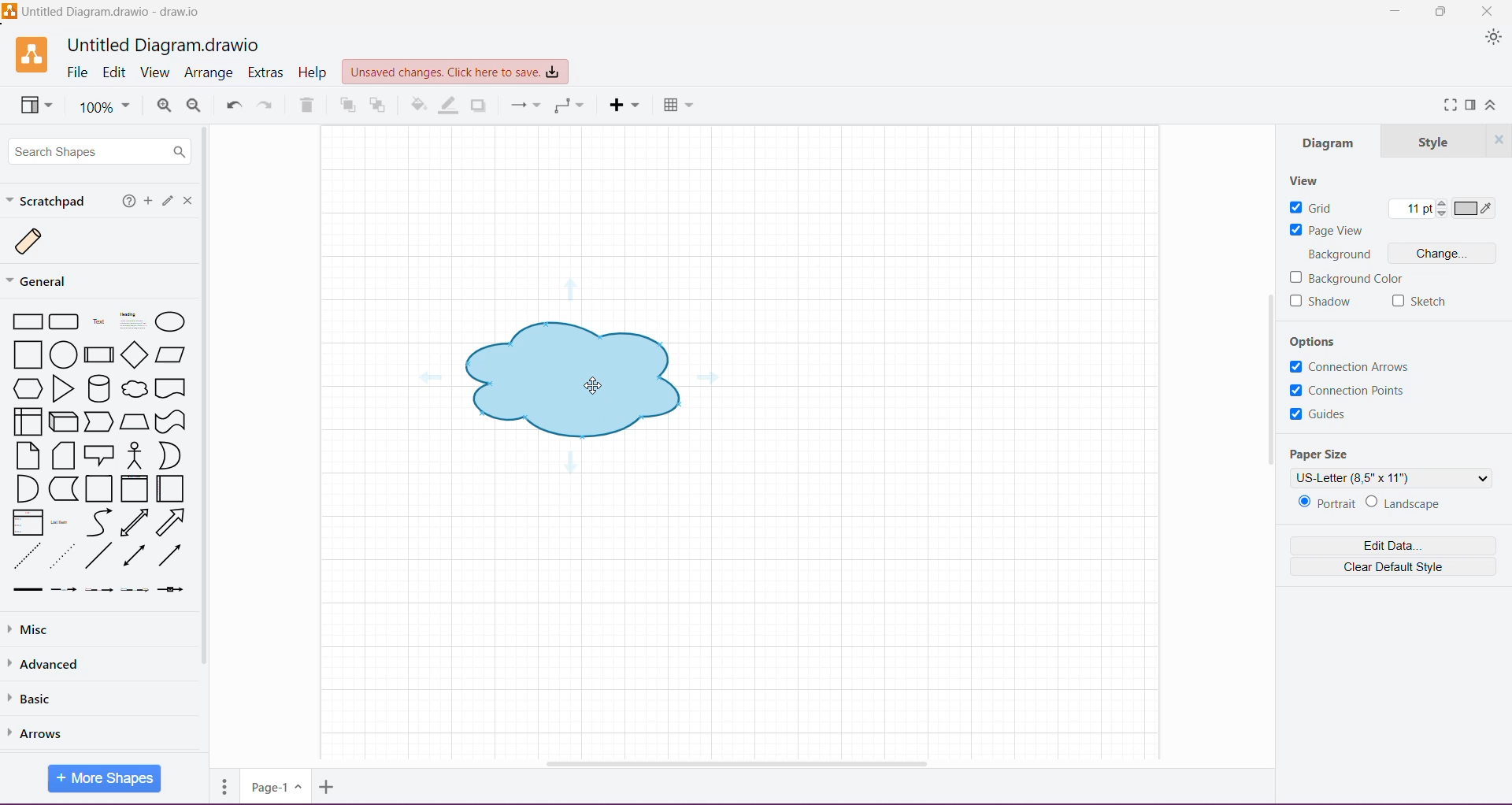 Image resolution: width=1512 pixels, height=805 pixels. Describe the element at coordinates (1470, 104) in the screenshot. I see `Format` at that location.